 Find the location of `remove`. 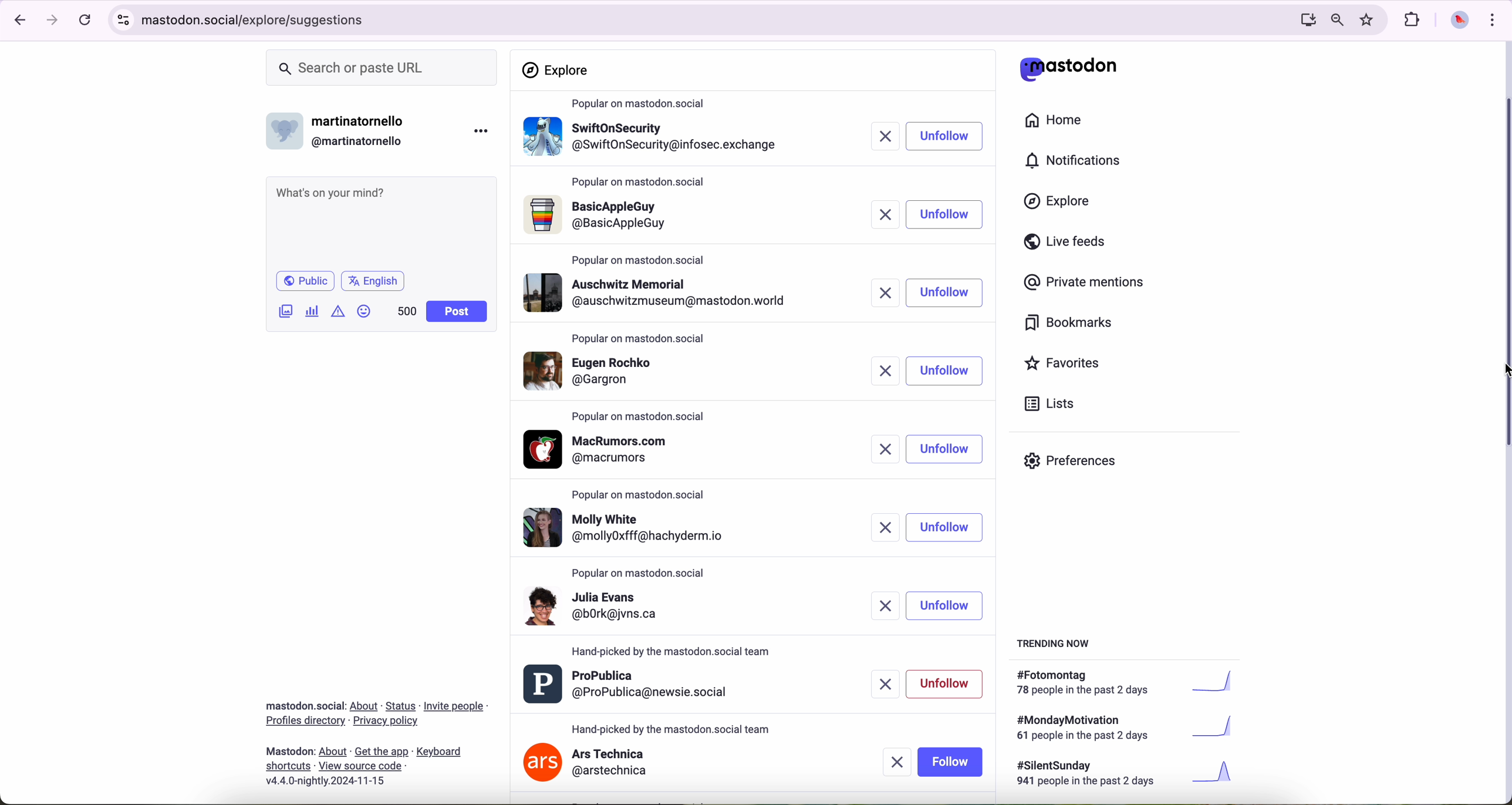

remove is located at coordinates (880, 372).